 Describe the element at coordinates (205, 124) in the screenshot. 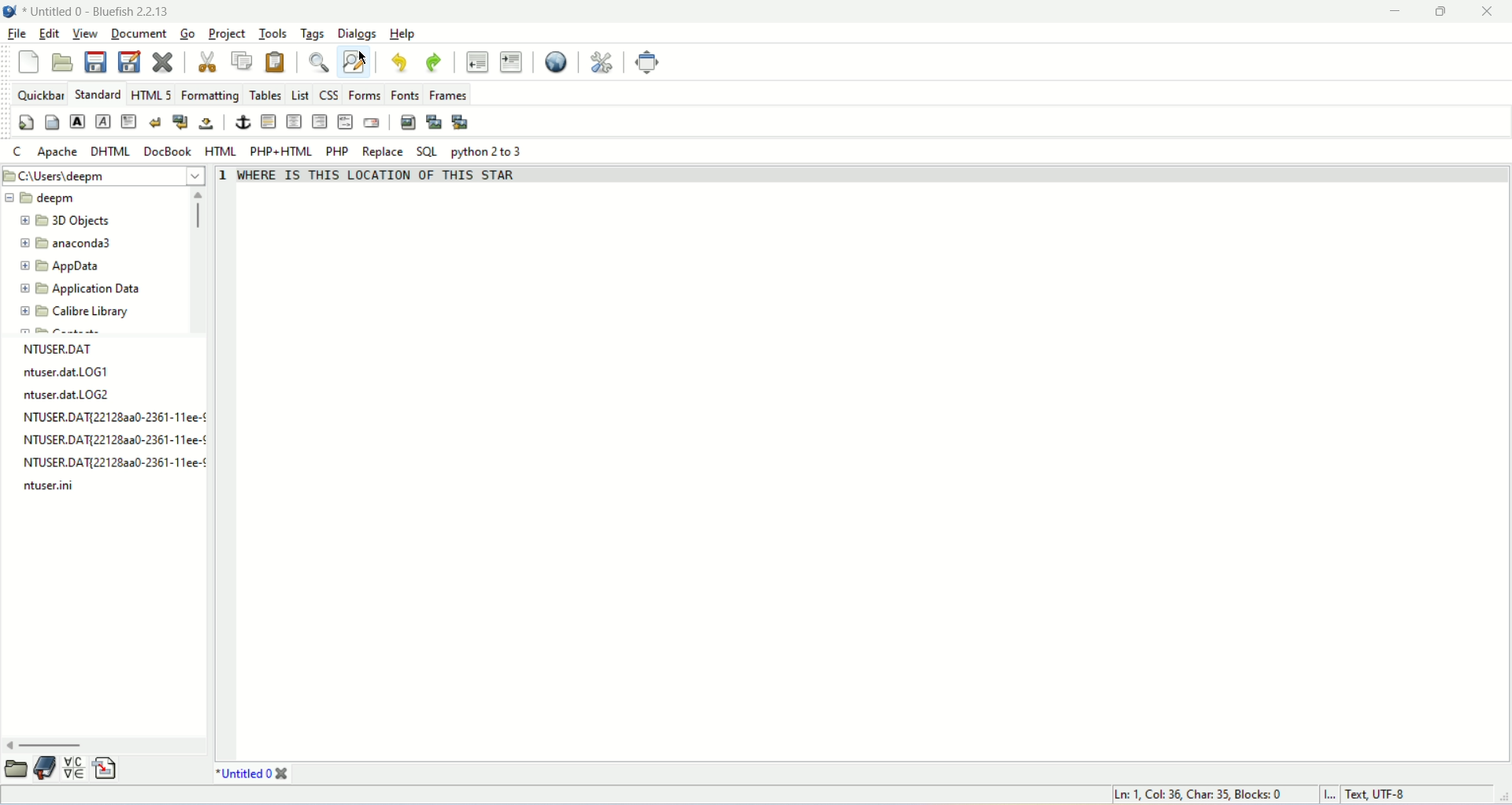

I see `non breaking space` at that location.